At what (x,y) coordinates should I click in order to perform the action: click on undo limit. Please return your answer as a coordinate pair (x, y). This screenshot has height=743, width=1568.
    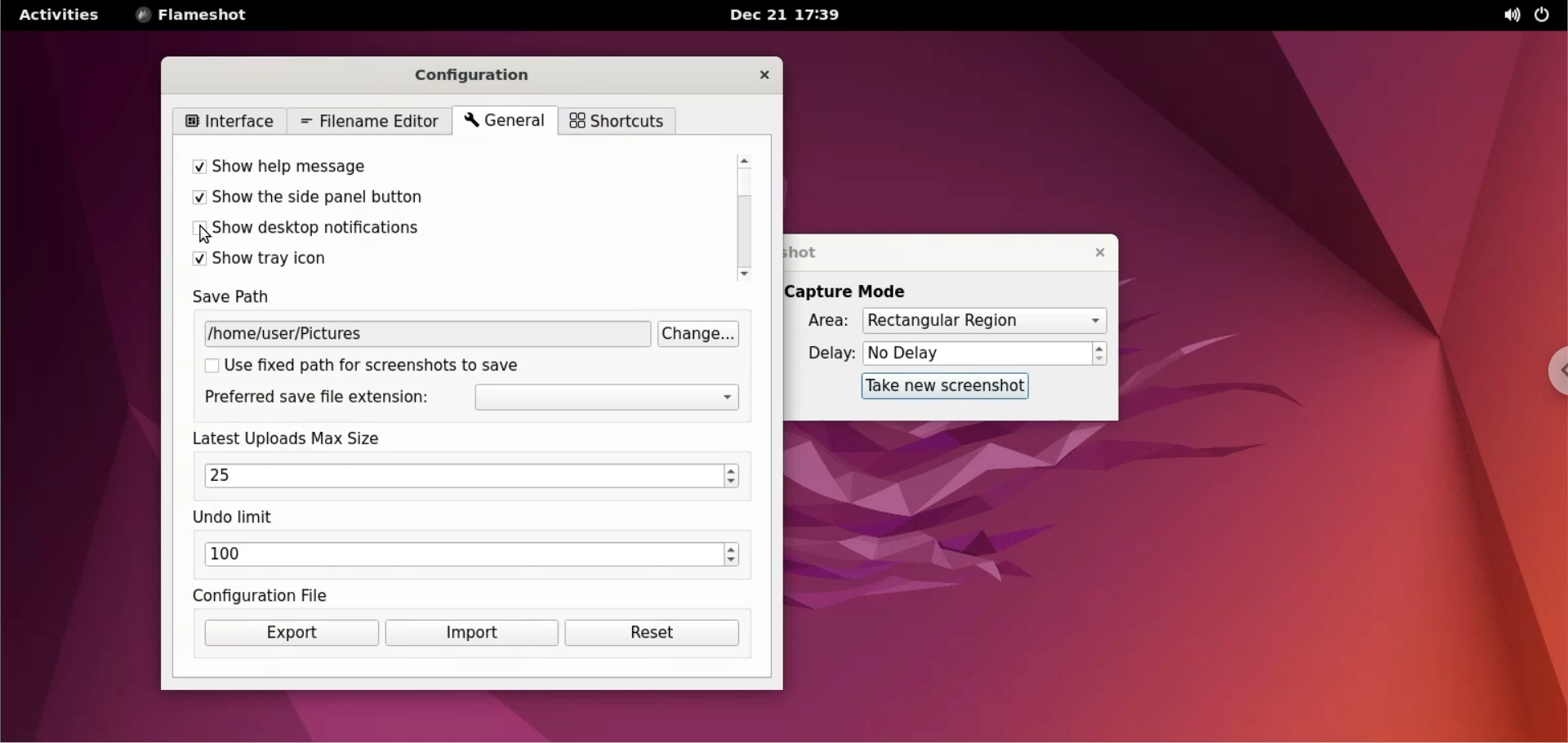
    Looking at the image, I should click on (237, 518).